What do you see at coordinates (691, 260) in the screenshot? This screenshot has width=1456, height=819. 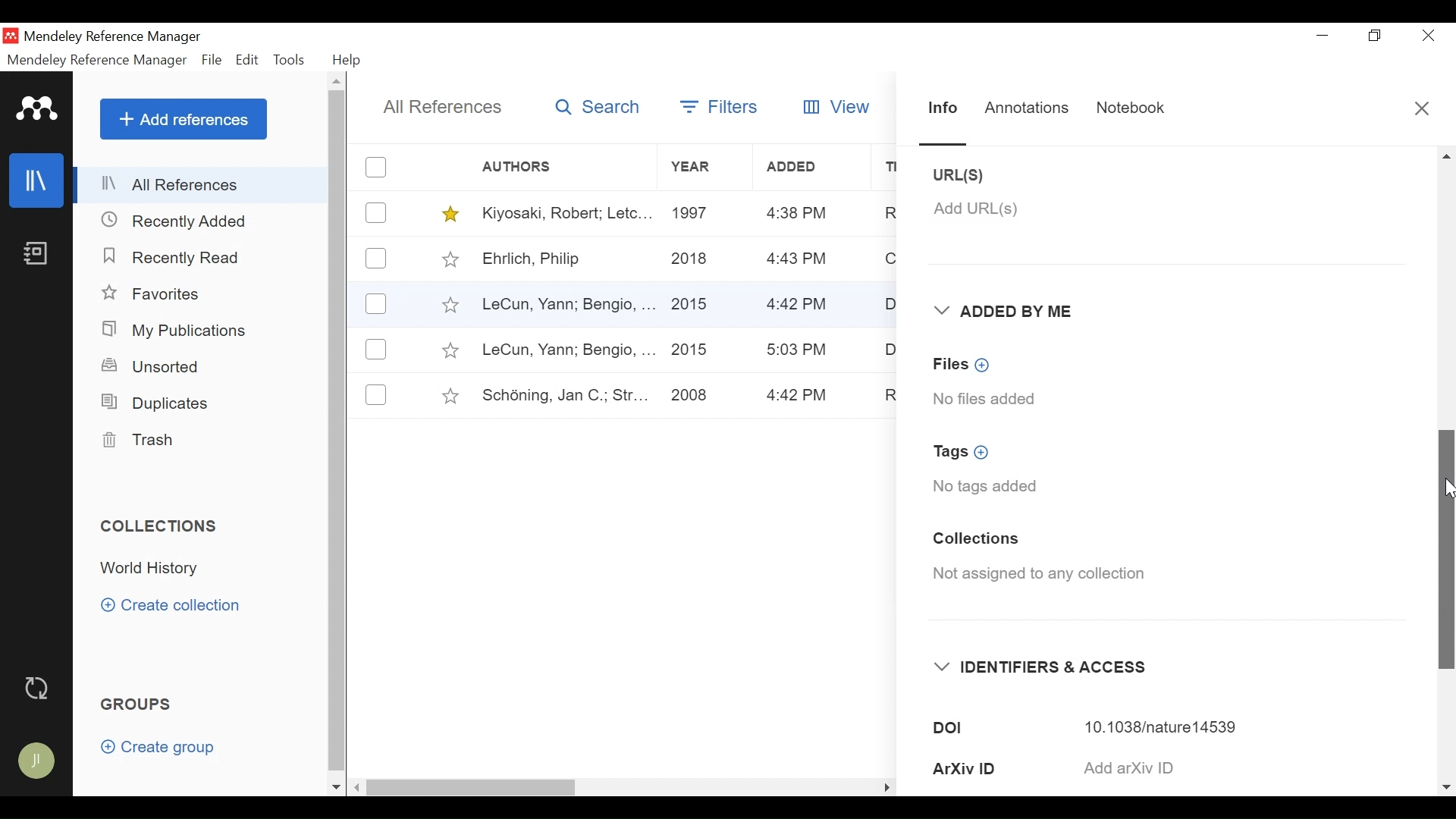 I see `2018` at bounding box center [691, 260].